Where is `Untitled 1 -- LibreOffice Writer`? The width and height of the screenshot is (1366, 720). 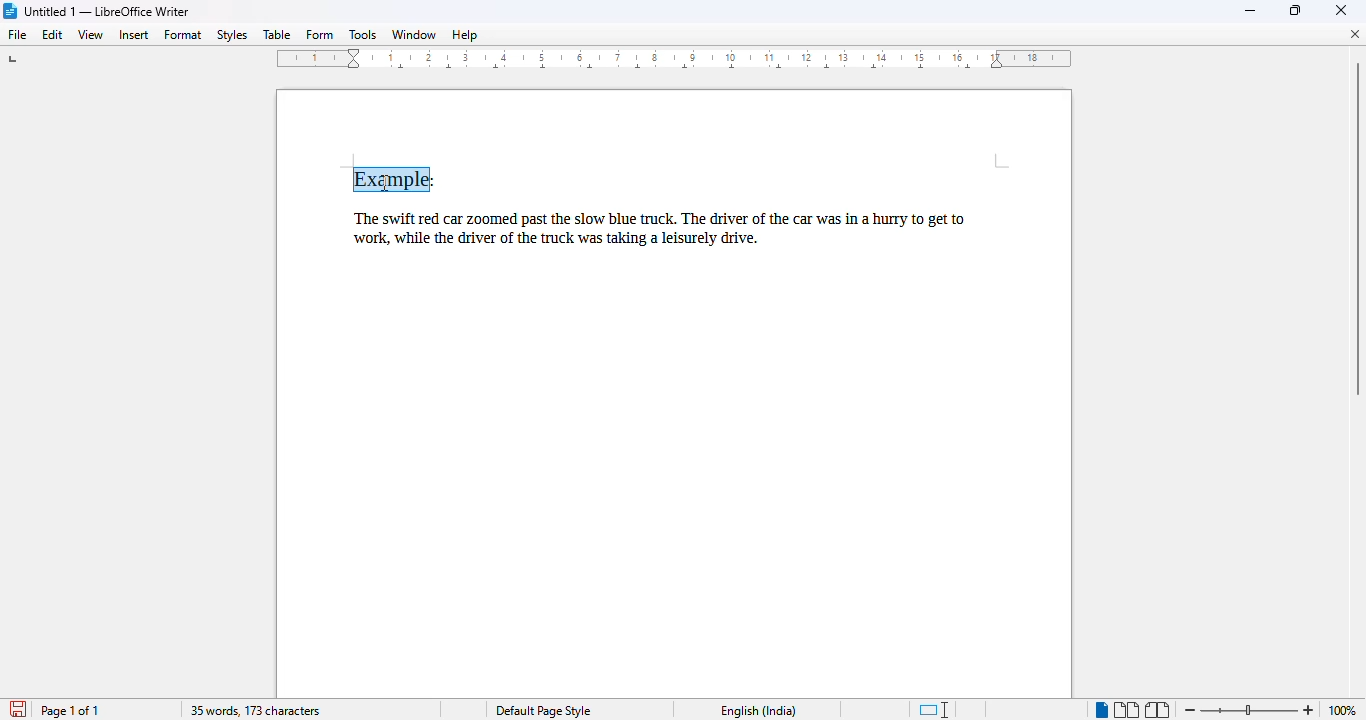
Untitled 1 -- LibreOffice Writer is located at coordinates (109, 11).